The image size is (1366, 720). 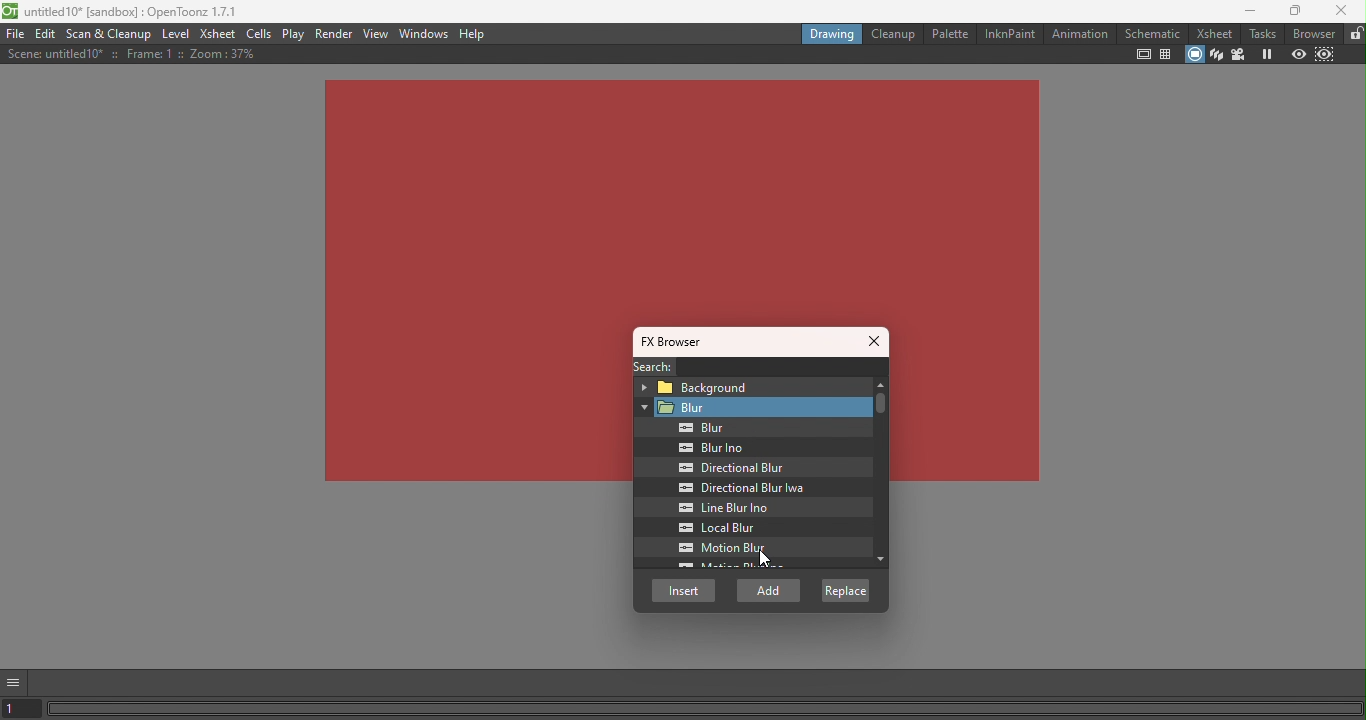 I want to click on add, so click(x=770, y=591).